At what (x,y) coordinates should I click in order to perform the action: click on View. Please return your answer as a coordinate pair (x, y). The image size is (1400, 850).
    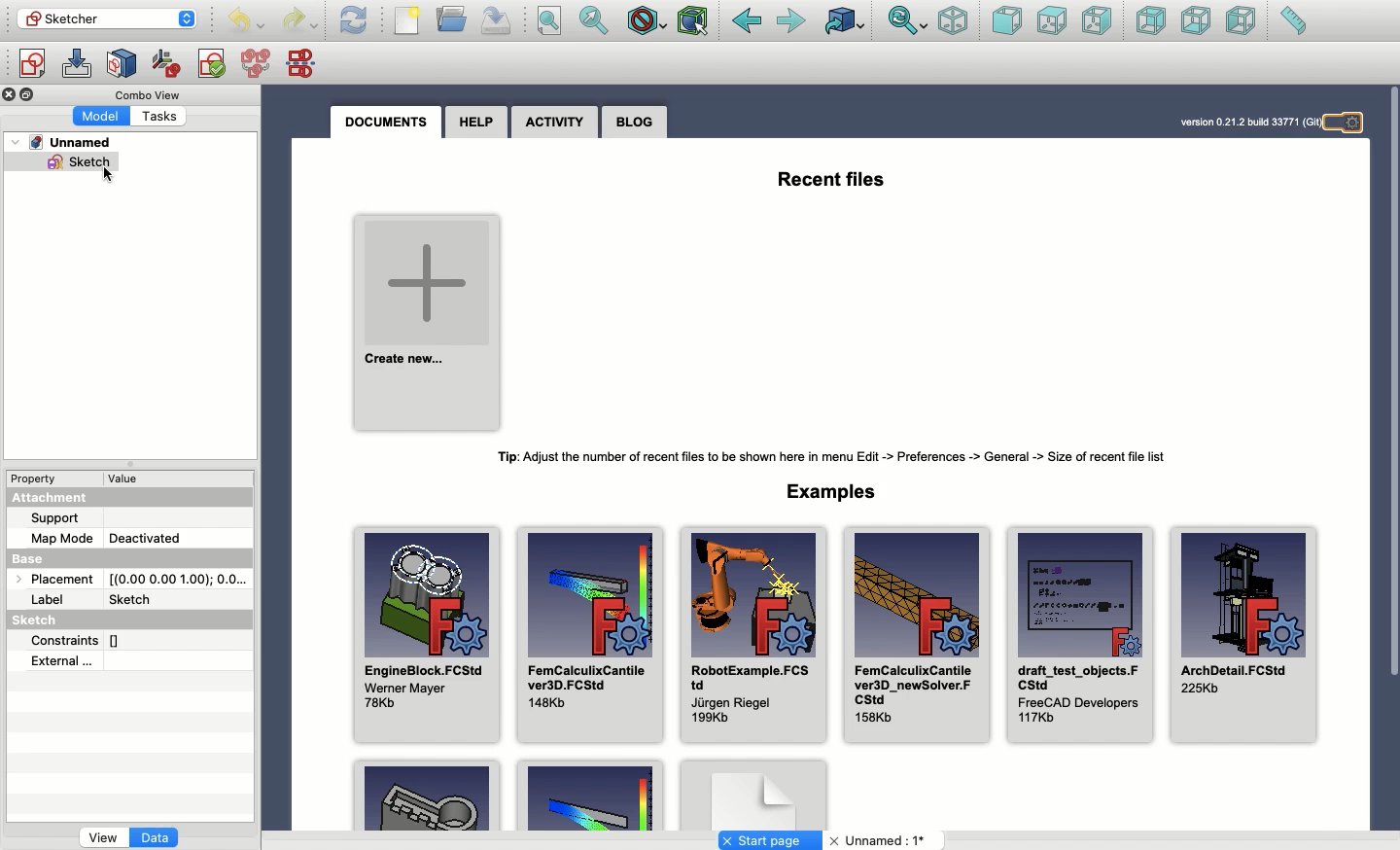
    Looking at the image, I should click on (103, 839).